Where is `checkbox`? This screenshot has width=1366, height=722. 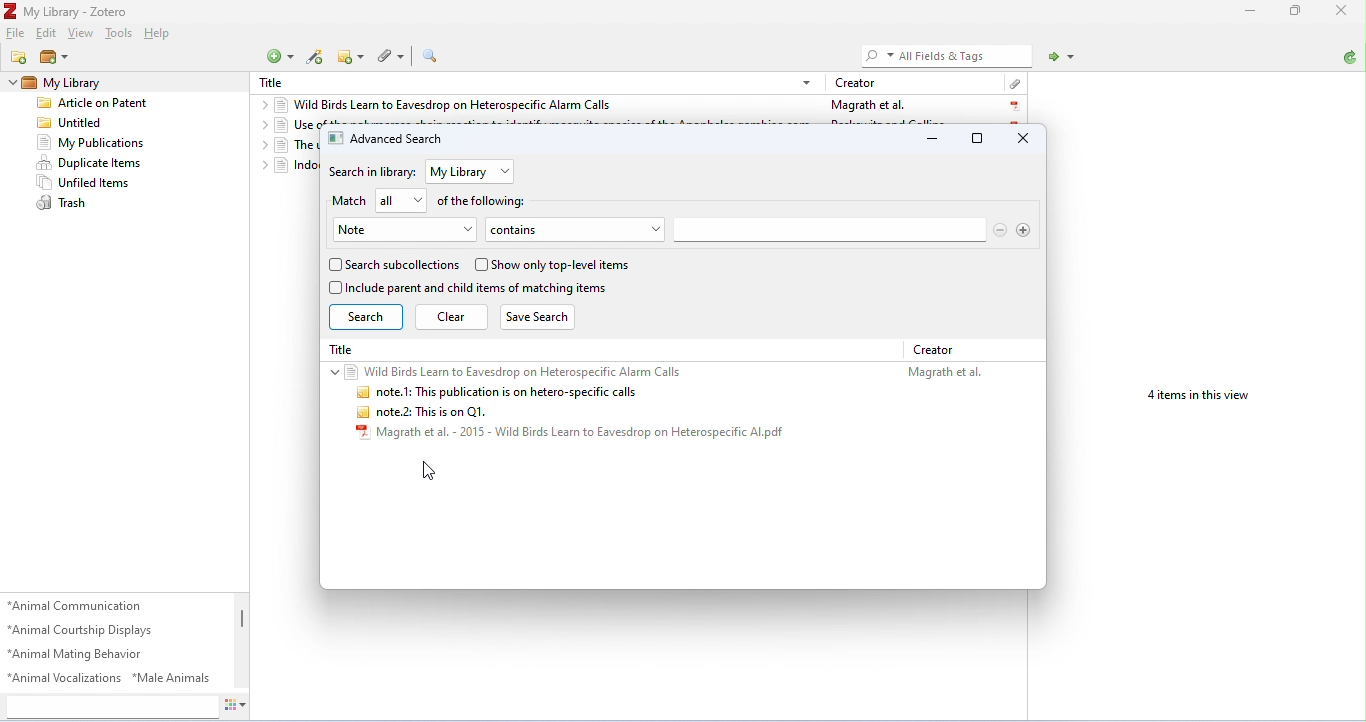
checkbox is located at coordinates (335, 288).